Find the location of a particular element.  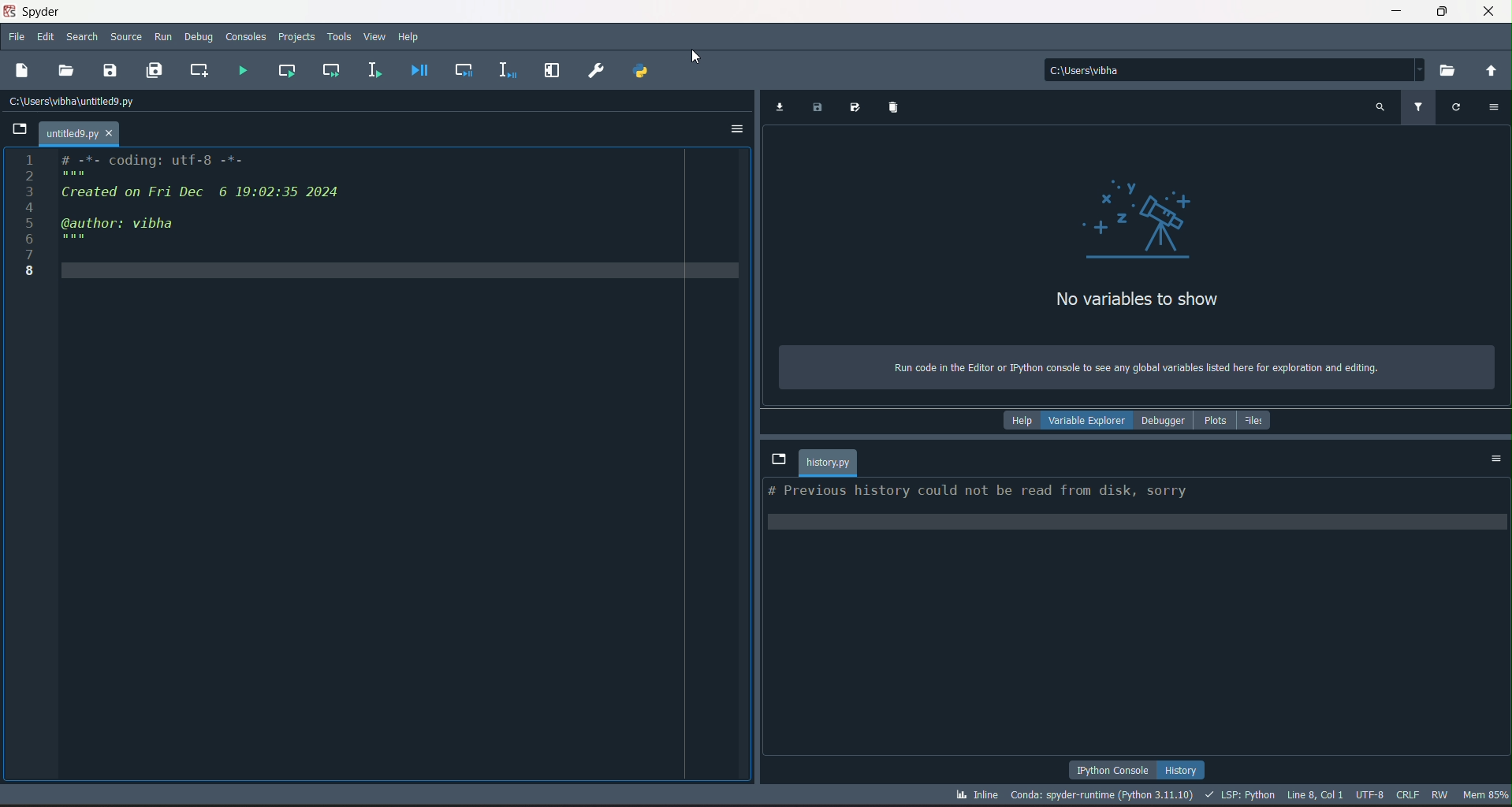

save all files is located at coordinates (153, 71).